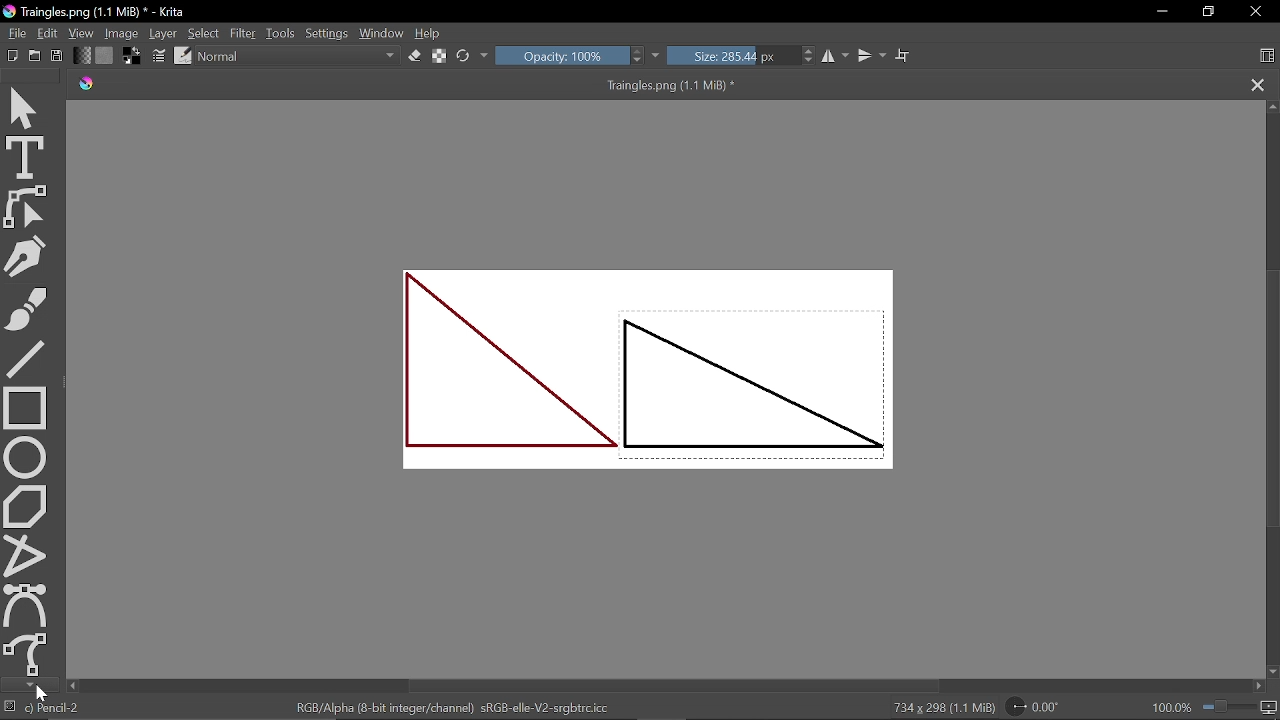  Describe the element at coordinates (10, 54) in the screenshot. I see `New document` at that location.